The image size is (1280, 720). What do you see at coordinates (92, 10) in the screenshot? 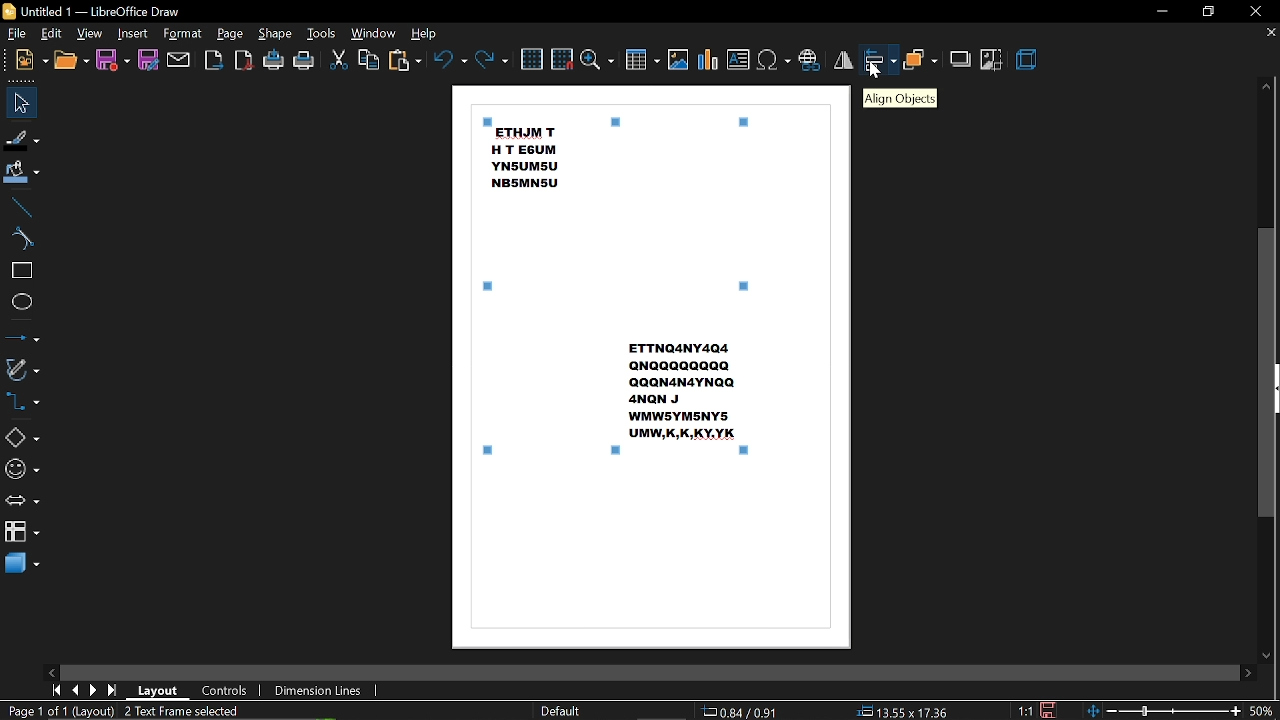
I see `Untitled 1 -  LibreOffice Draw` at bounding box center [92, 10].